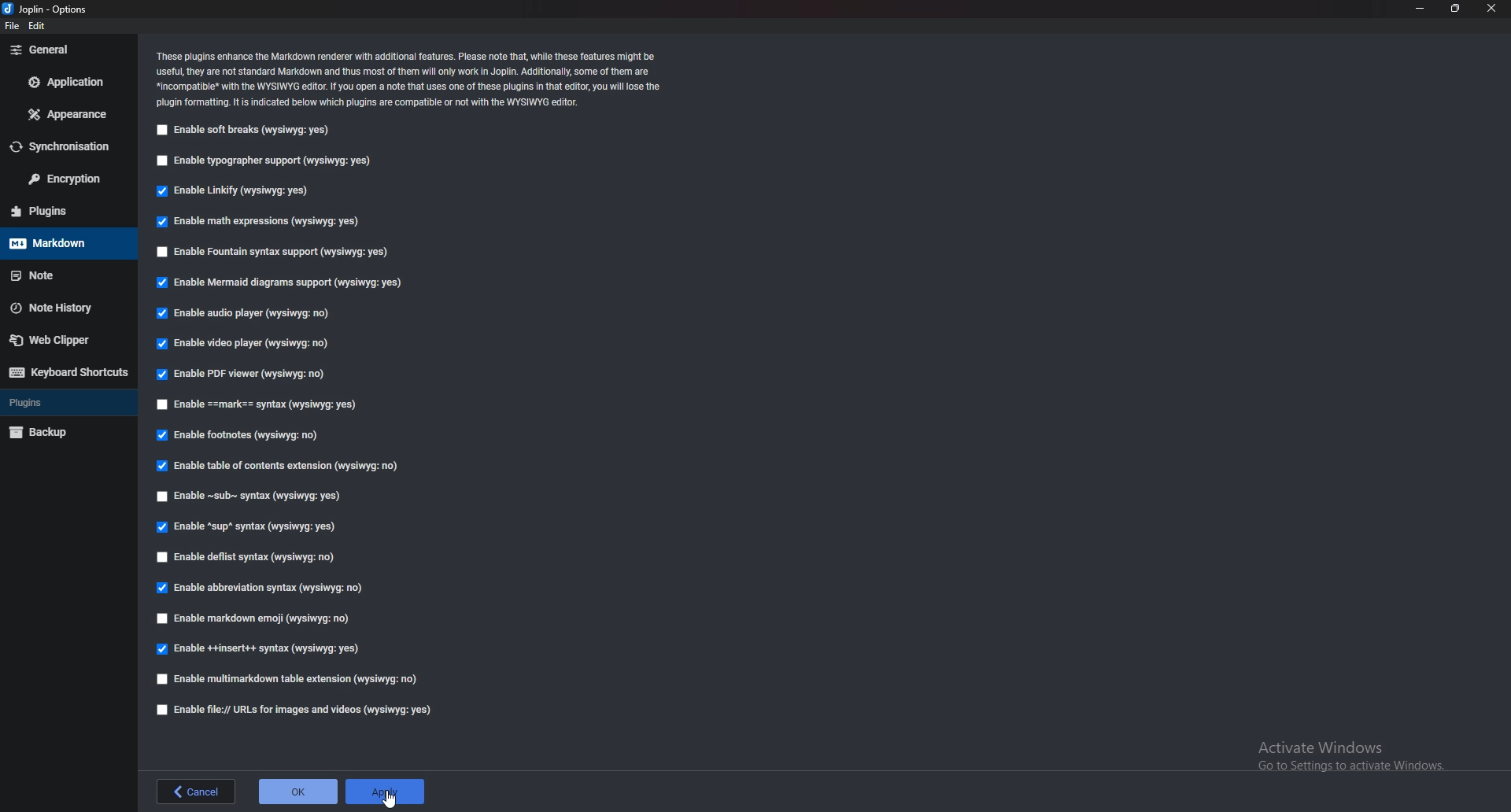 This screenshot has width=1511, height=812. I want to click on Enable PDF viewer, so click(248, 373).